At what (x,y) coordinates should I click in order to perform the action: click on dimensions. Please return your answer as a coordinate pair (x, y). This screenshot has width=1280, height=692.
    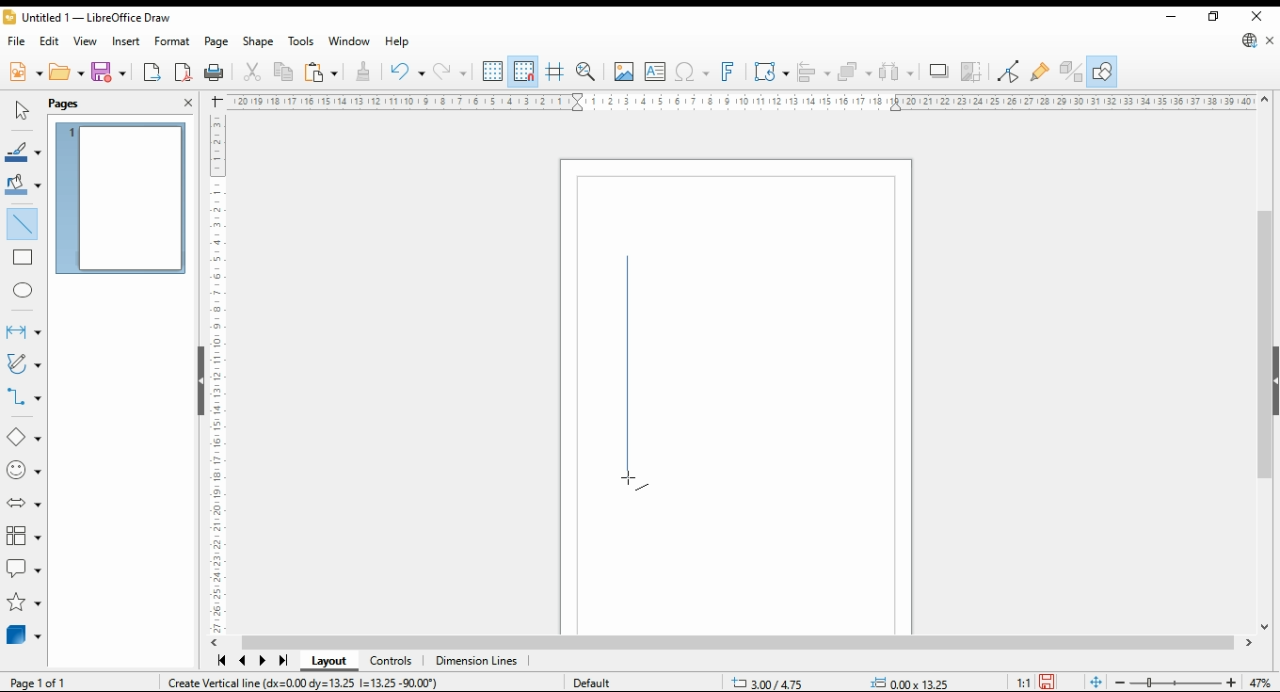
    Looking at the image, I should click on (477, 661).